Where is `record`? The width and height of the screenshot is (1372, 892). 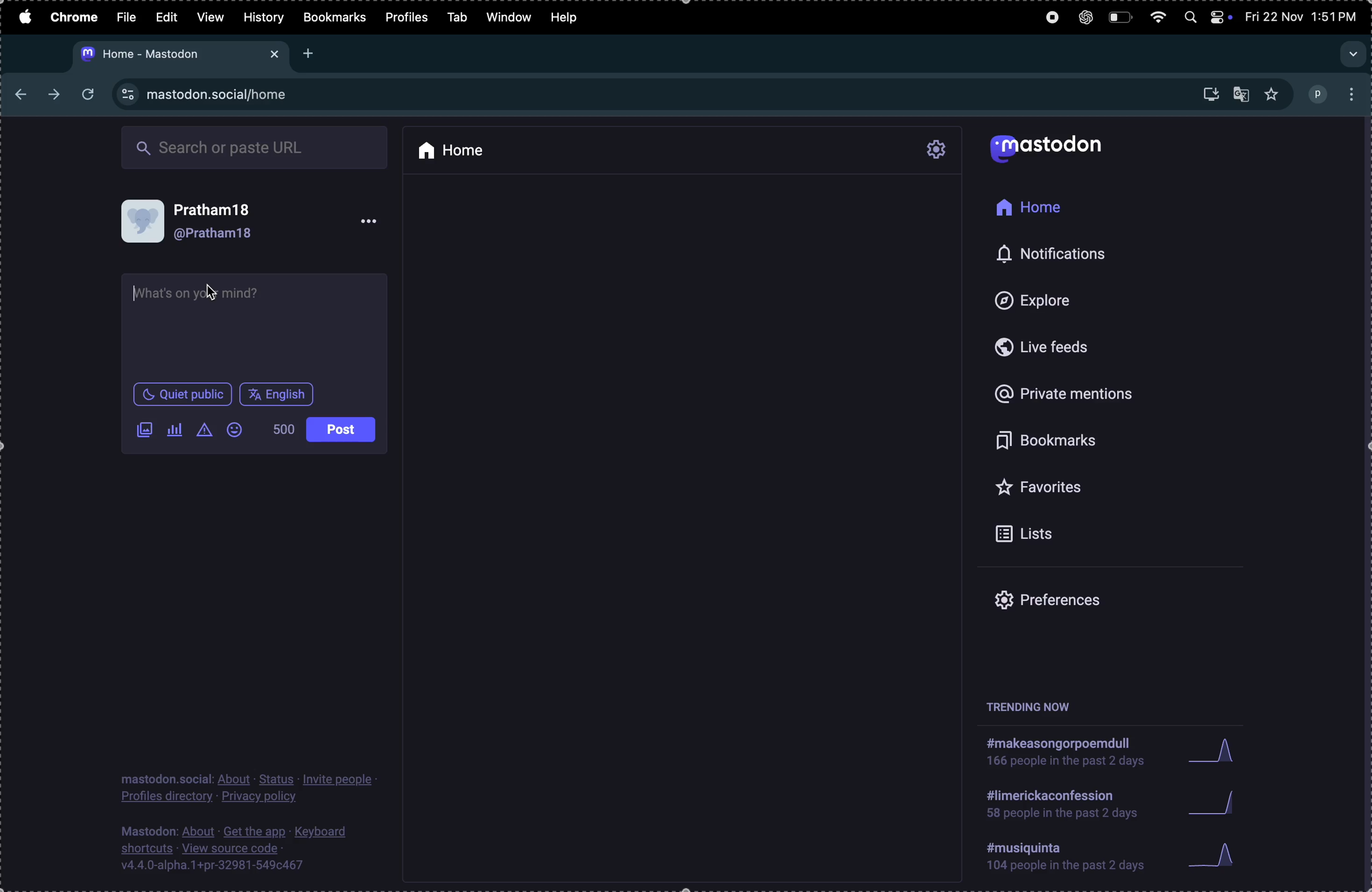 record is located at coordinates (1049, 18).